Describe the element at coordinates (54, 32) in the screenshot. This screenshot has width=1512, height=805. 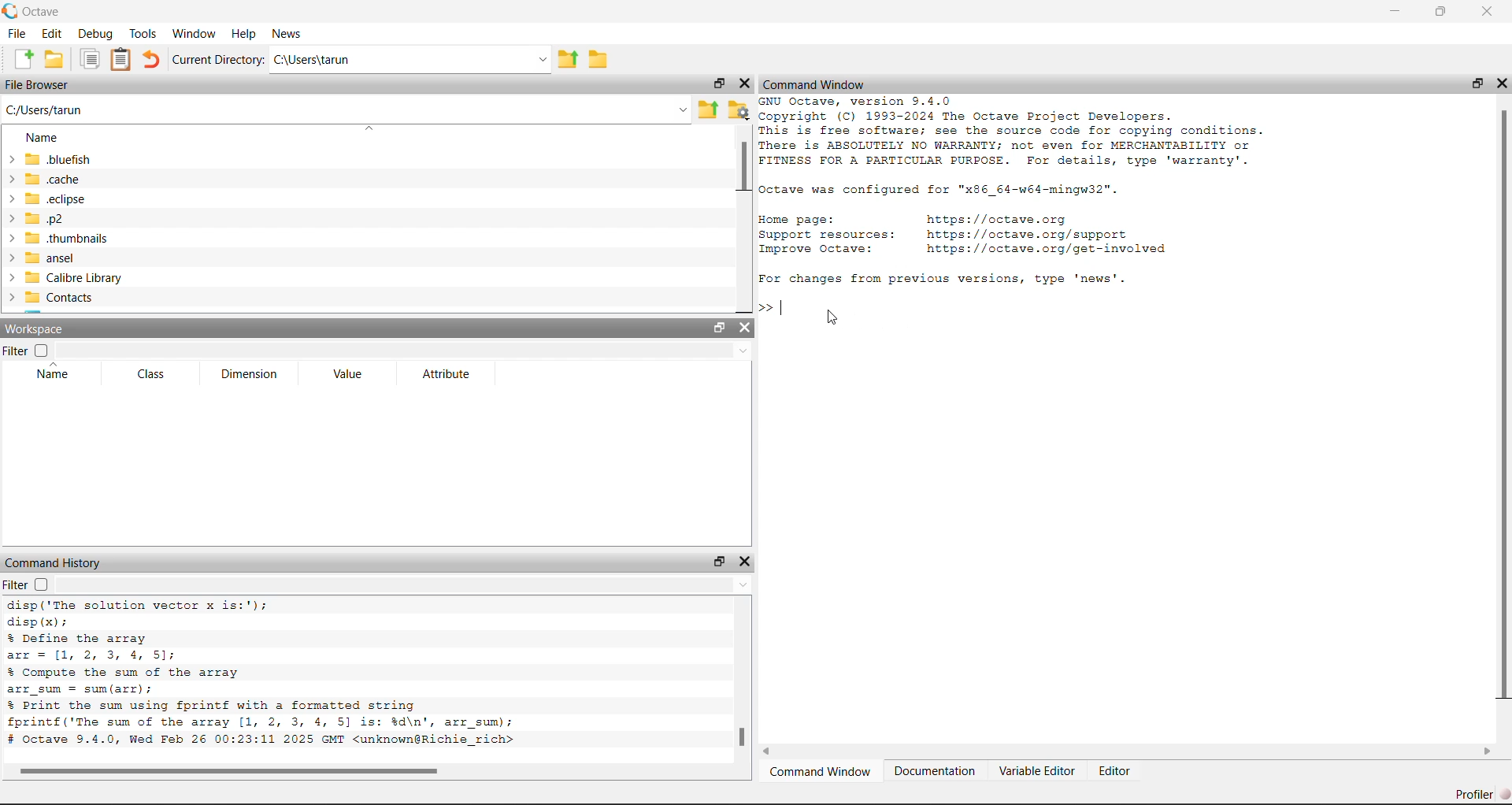
I see `Edit` at that location.